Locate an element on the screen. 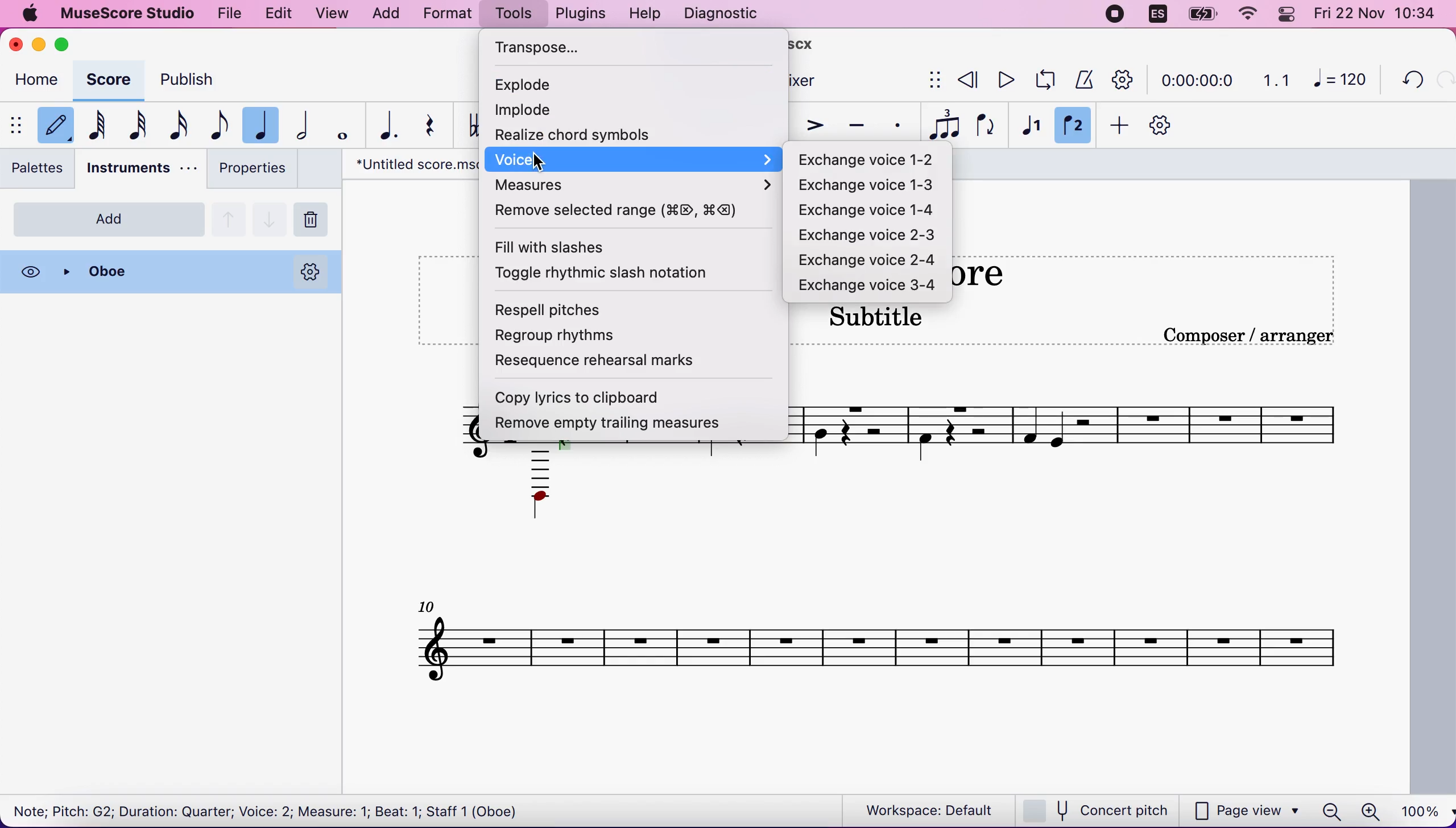 This screenshot has height=828, width=1456. exchange voice 1-3 is located at coordinates (870, 185).